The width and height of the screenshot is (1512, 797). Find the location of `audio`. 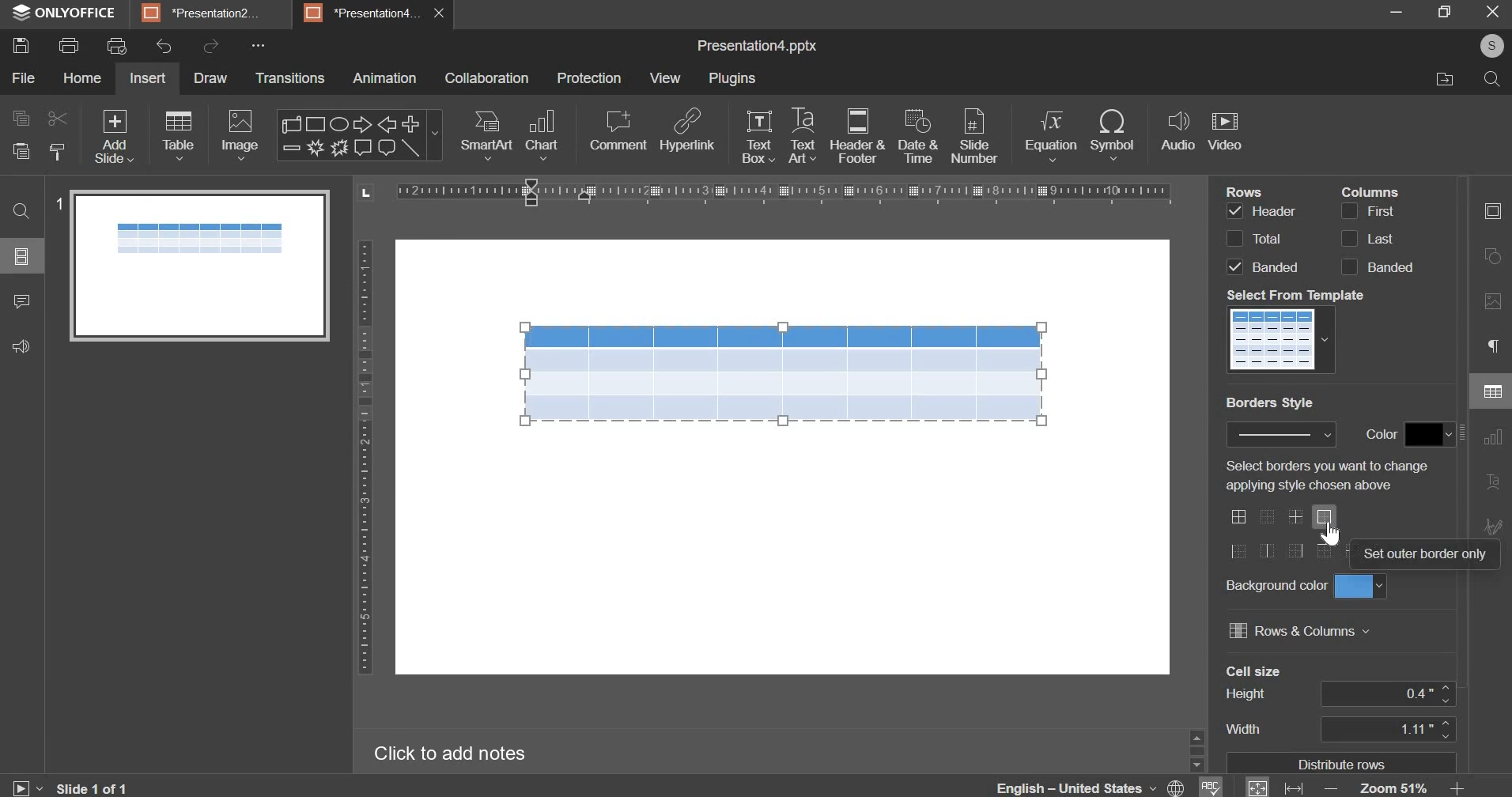

audio is located at coordinates (1178, 132).